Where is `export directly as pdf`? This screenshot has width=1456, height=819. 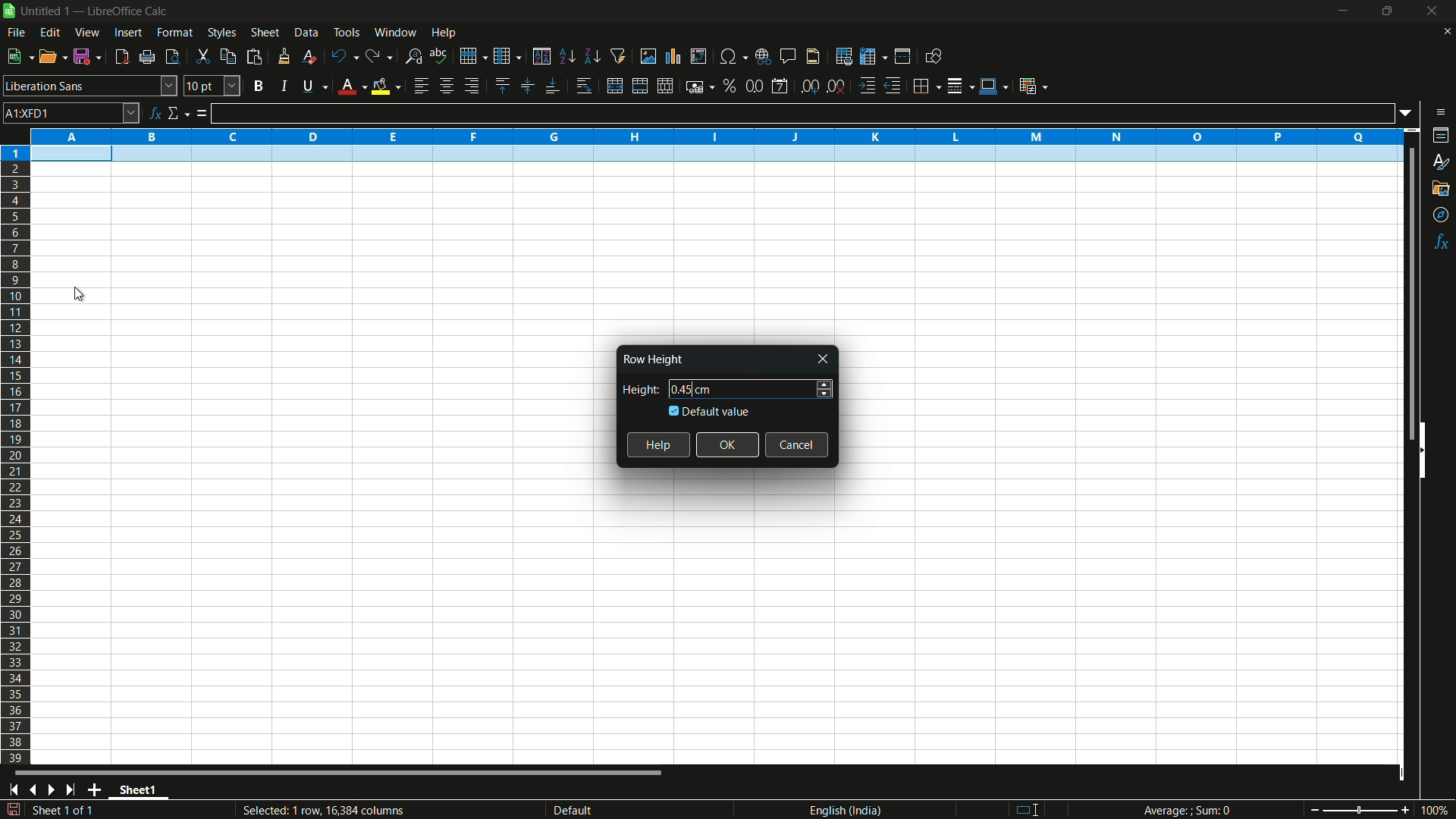 export directly as pdf is located at coordinates (121, 57).